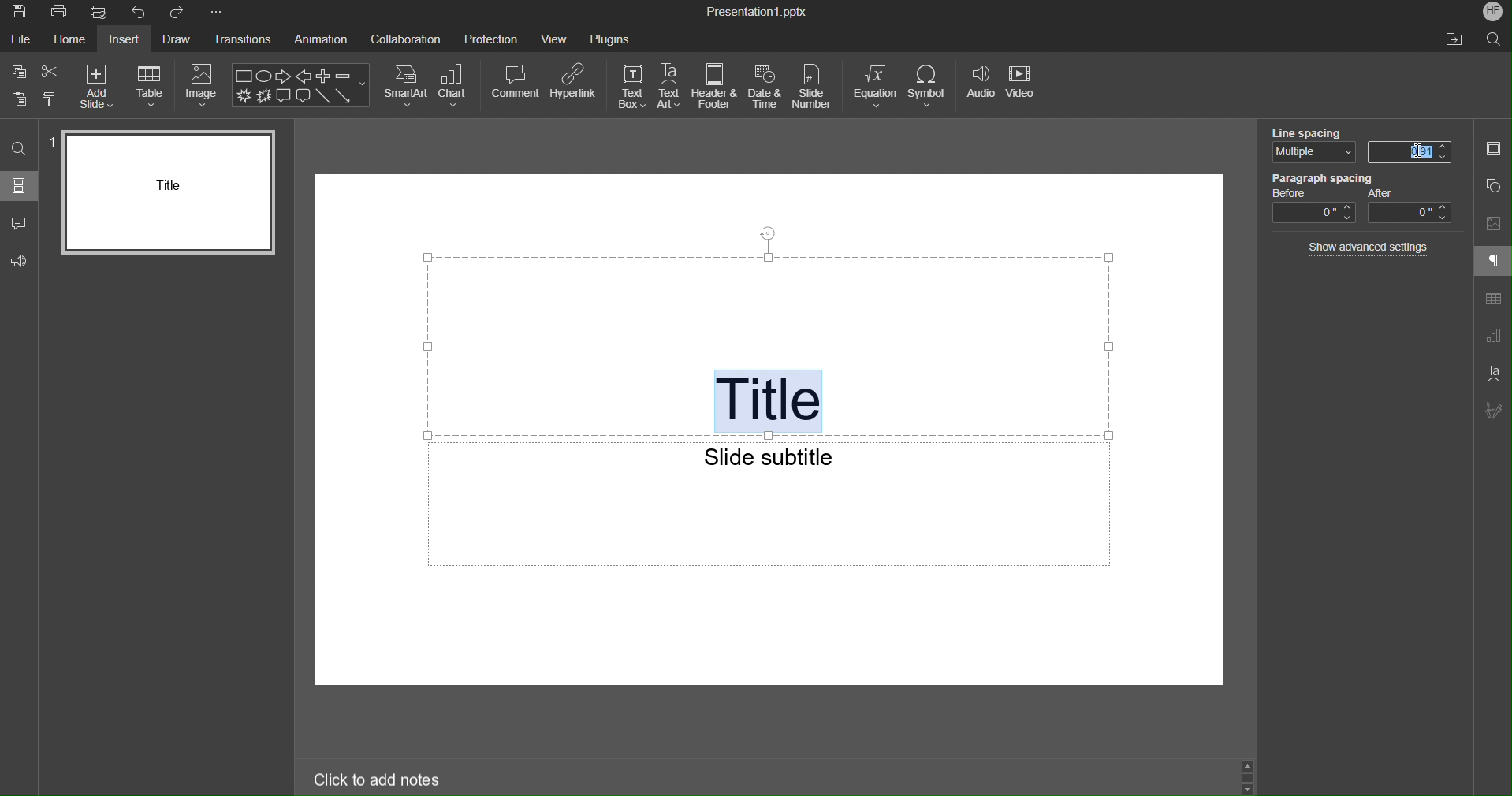 The height and width of the screenshot is (796, 1512). I want to click on Save, so click(17, 13).